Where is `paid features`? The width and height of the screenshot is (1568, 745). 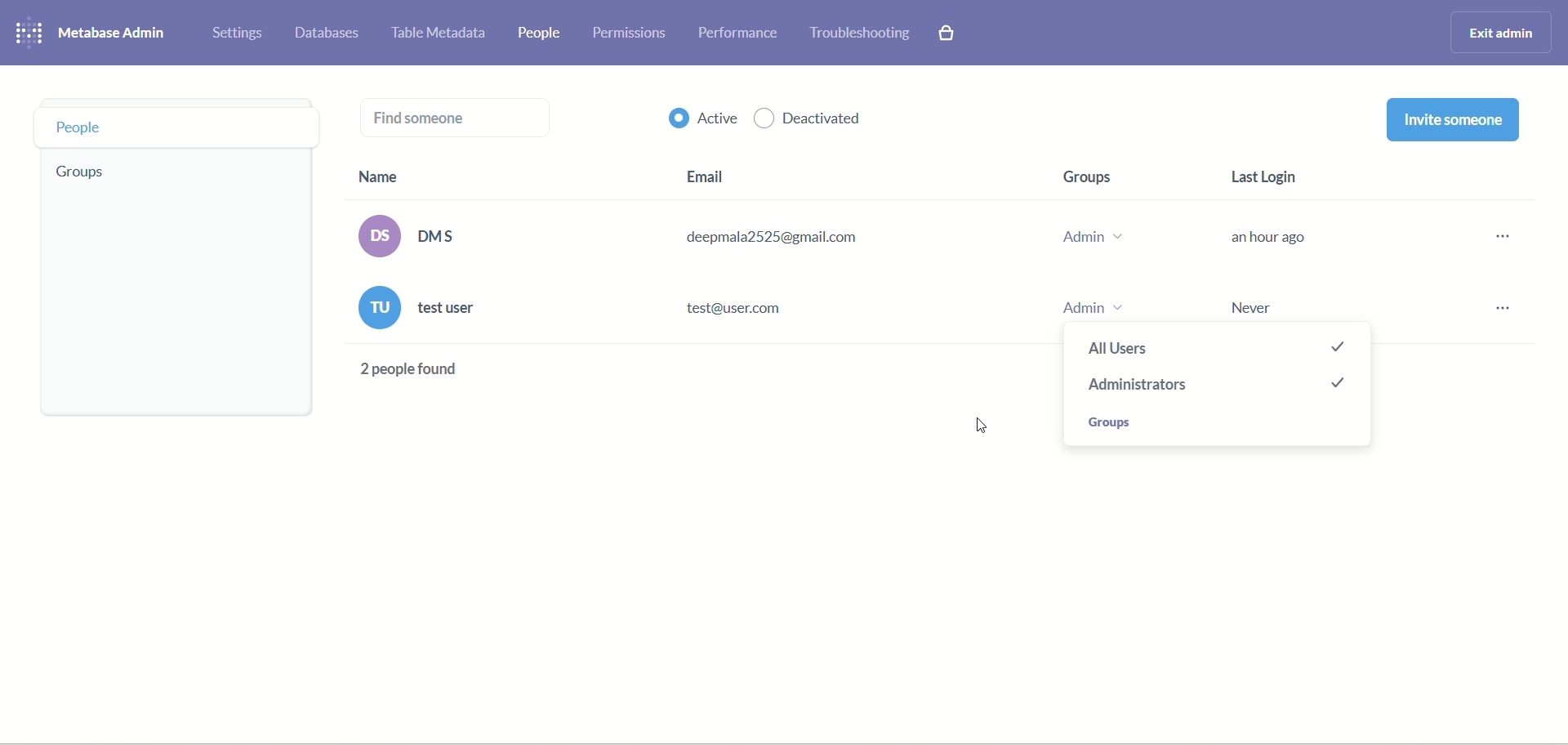 paid features is located at coordinates (951, 33).